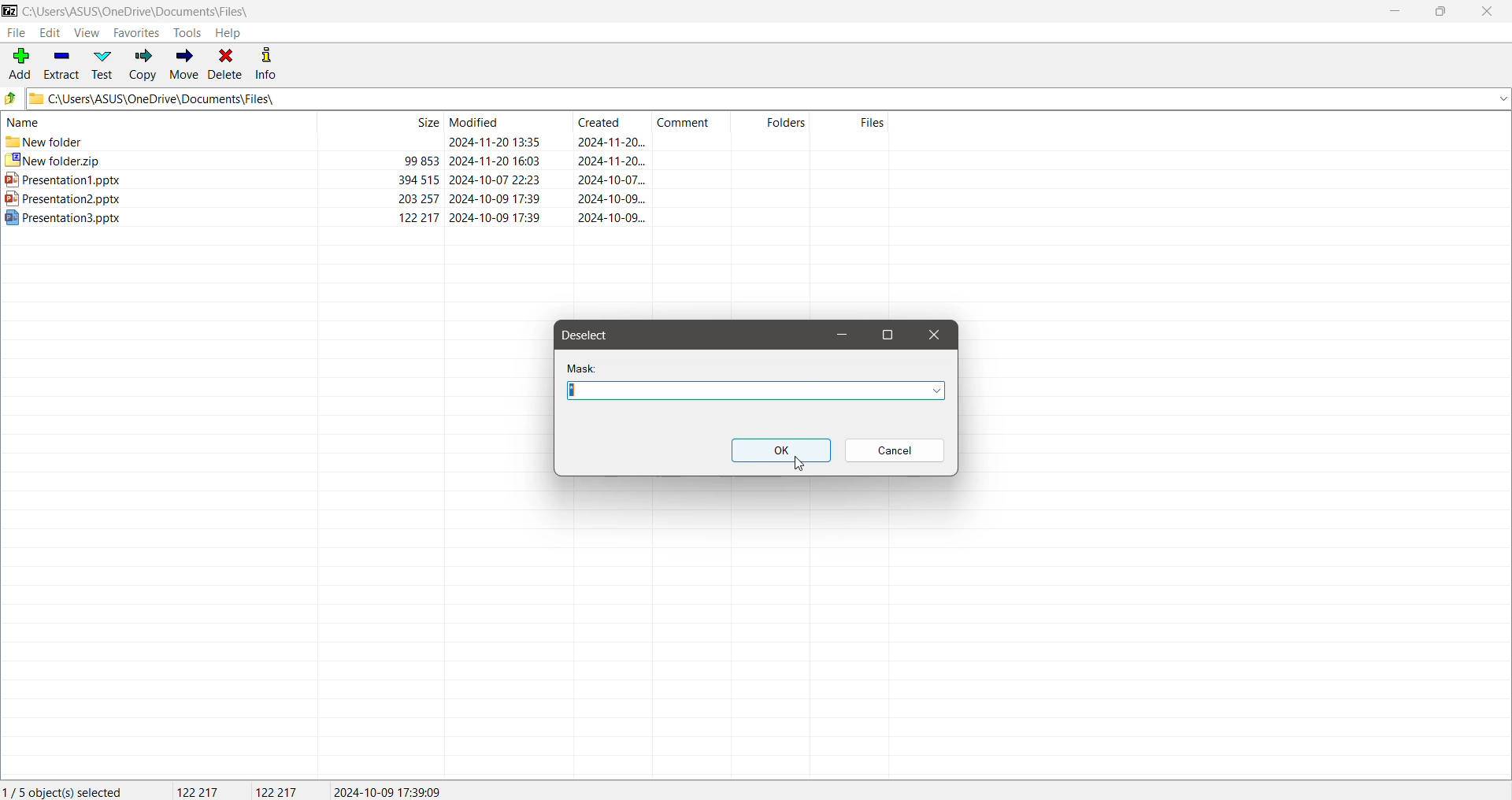  What do you see at coordinates (594, 335) in the screenshot?
I see `Deselect` at bounding box center [594, 335].